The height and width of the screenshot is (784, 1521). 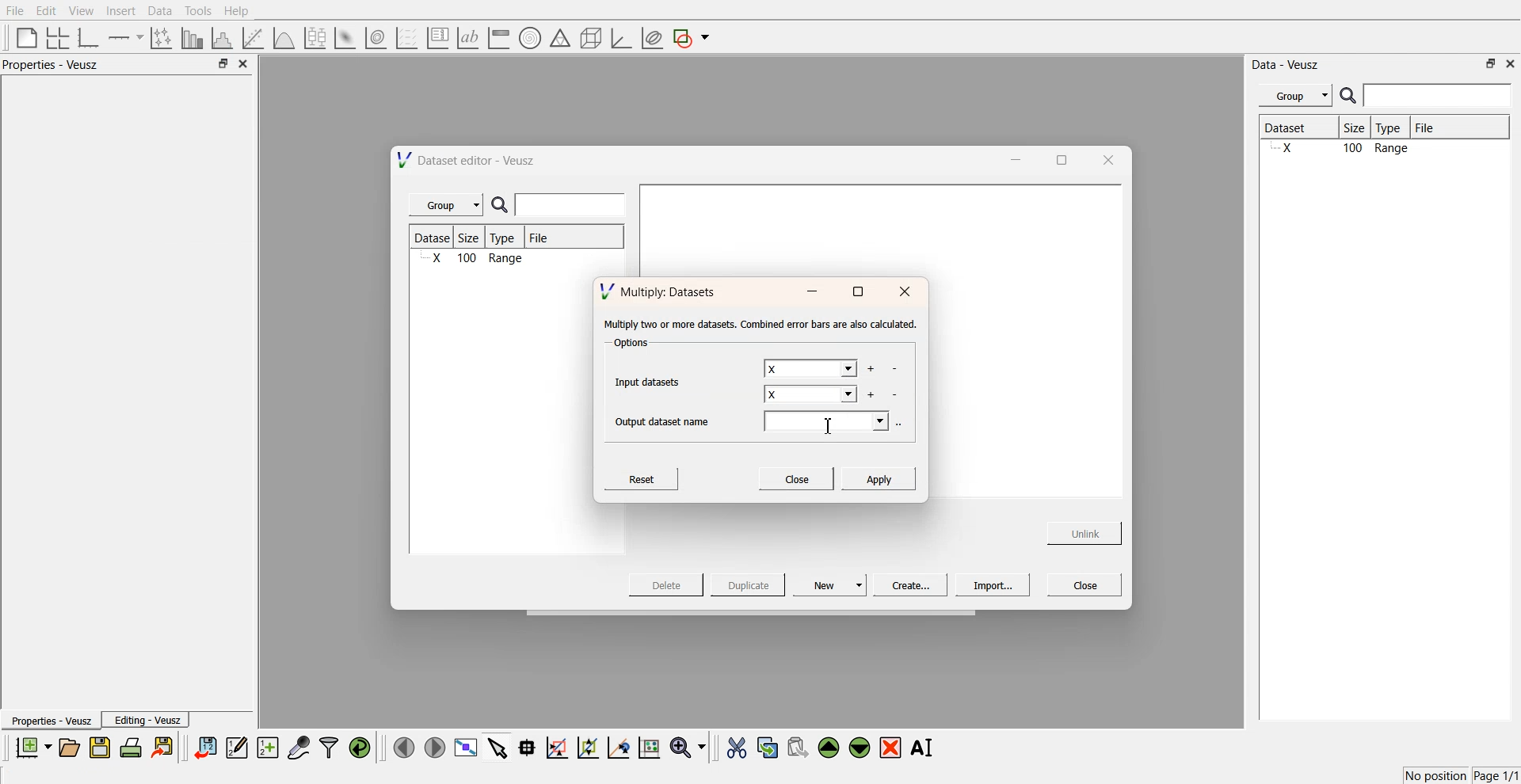 What do you see at coordinates (465, 748) in the screenshot?
I see `view plot full screen` at bounding box center [465, 748].